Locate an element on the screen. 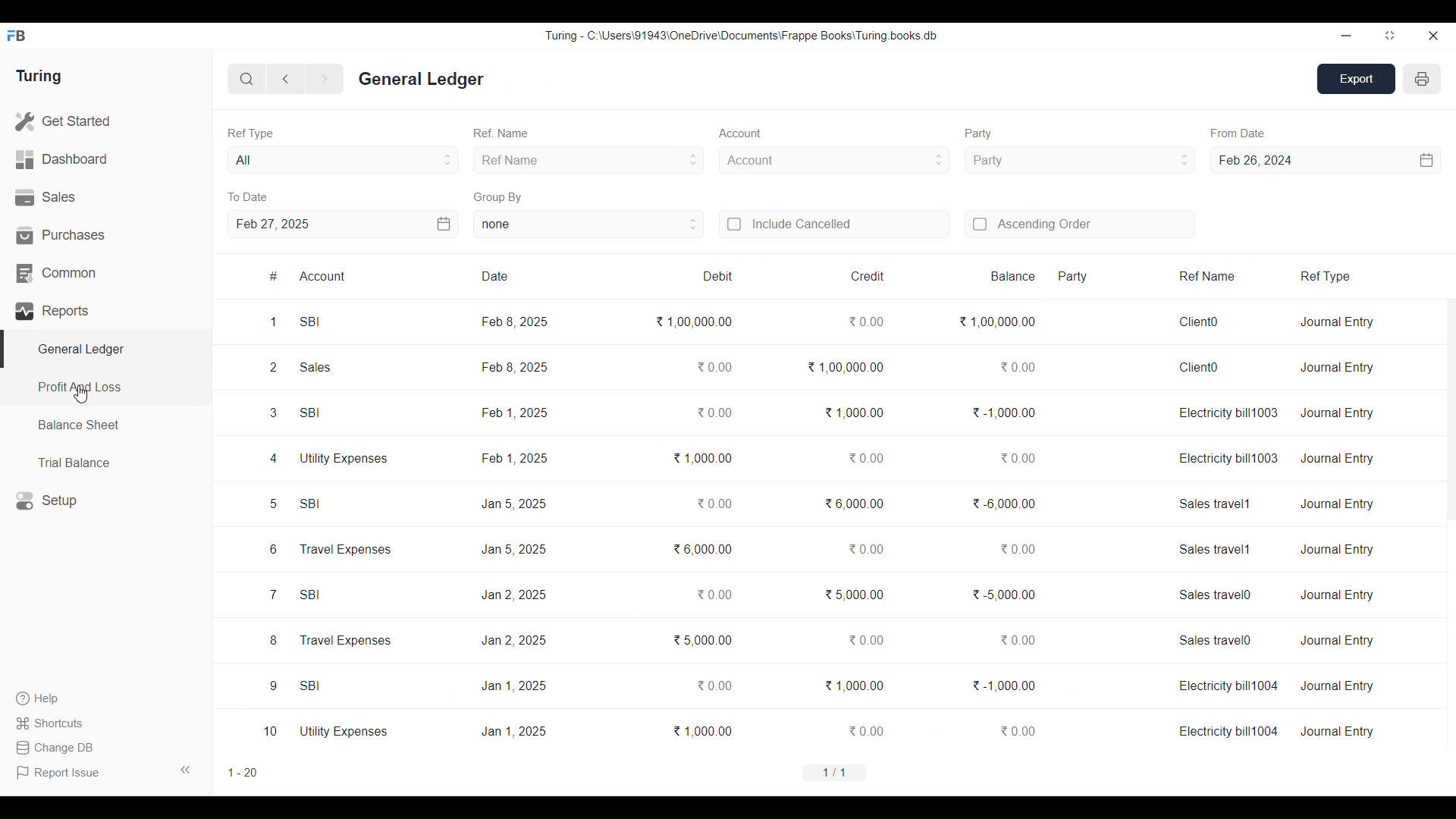 The height and width of the screenshot is (819, 1456). Journal Entry is located at coordinates (1337, 413).